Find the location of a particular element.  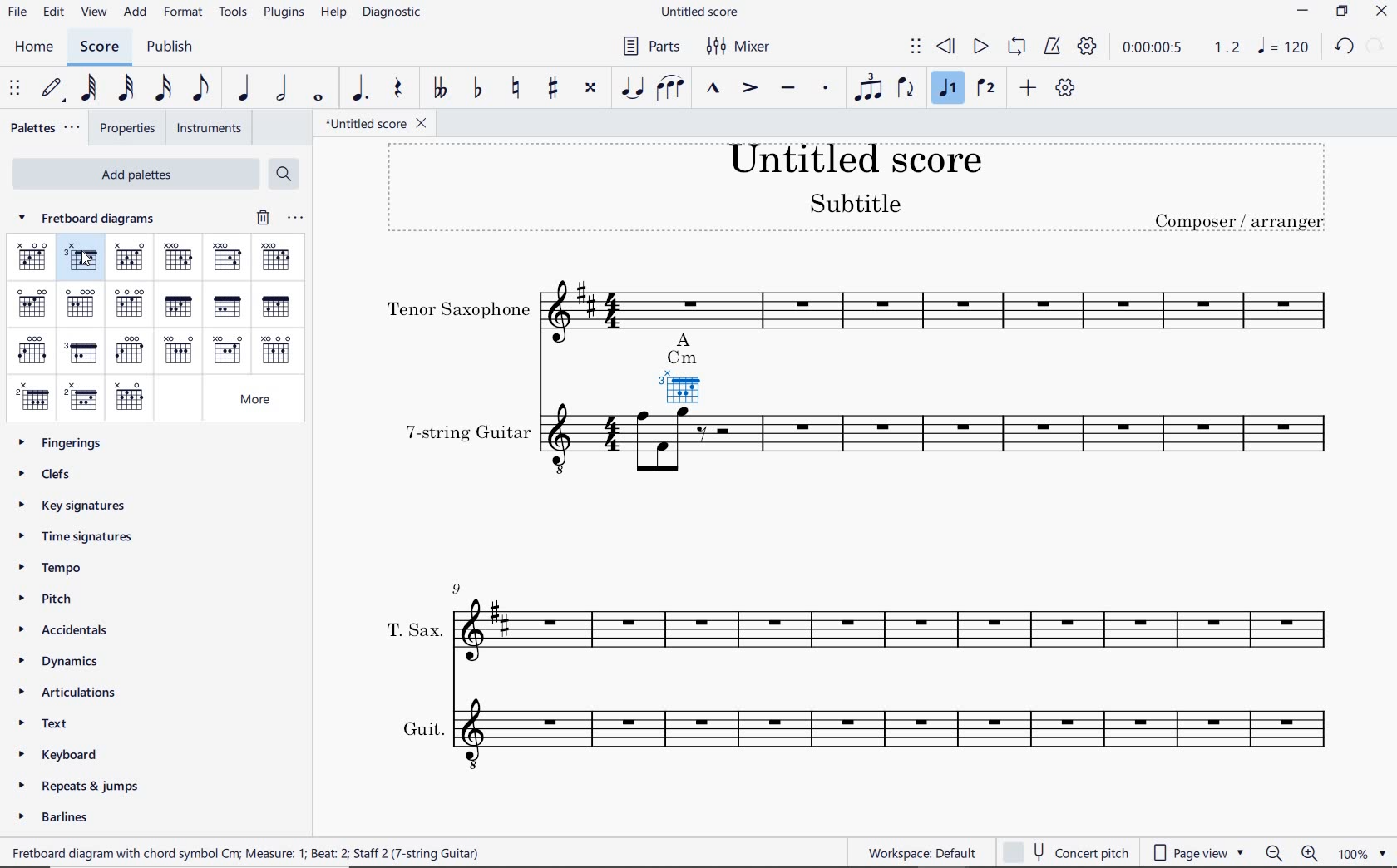

zoom in or zoom out is located at coordinates (1291, 851).